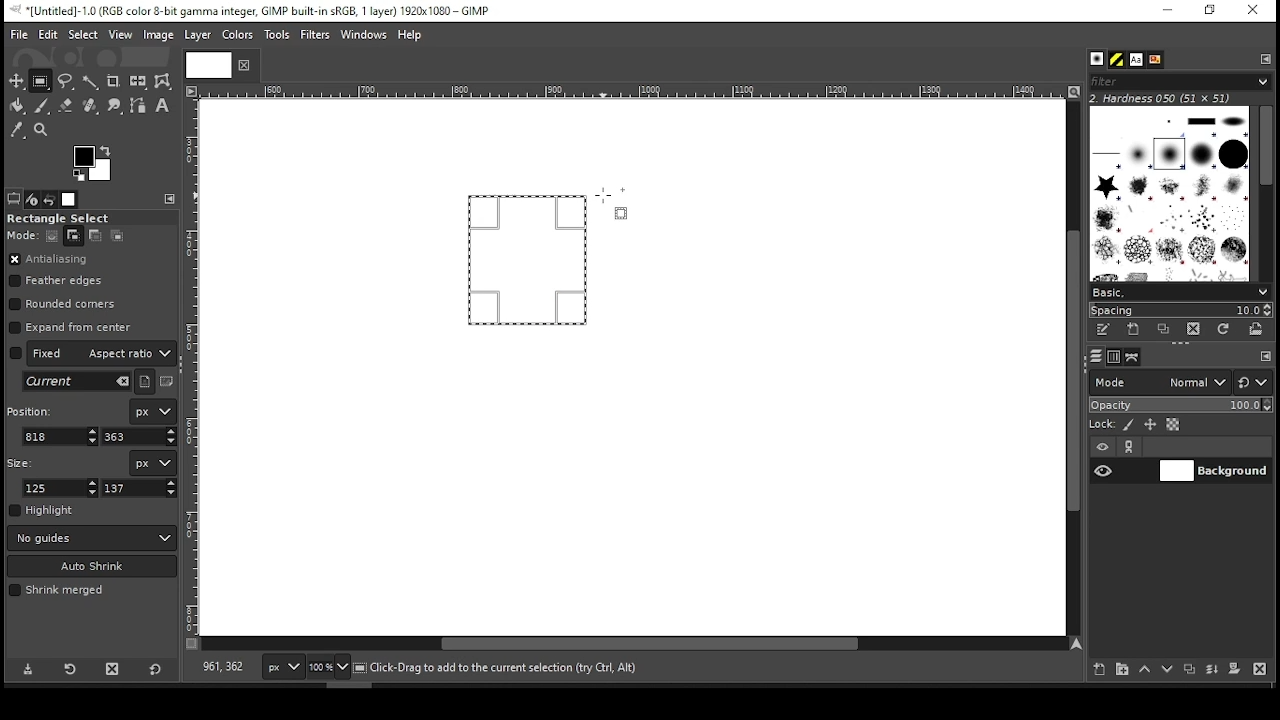 The height and width of the screenshot is (720, 1280). Describe the element at coordinates (19, 35) in the screenshot. I see `file` at that location.